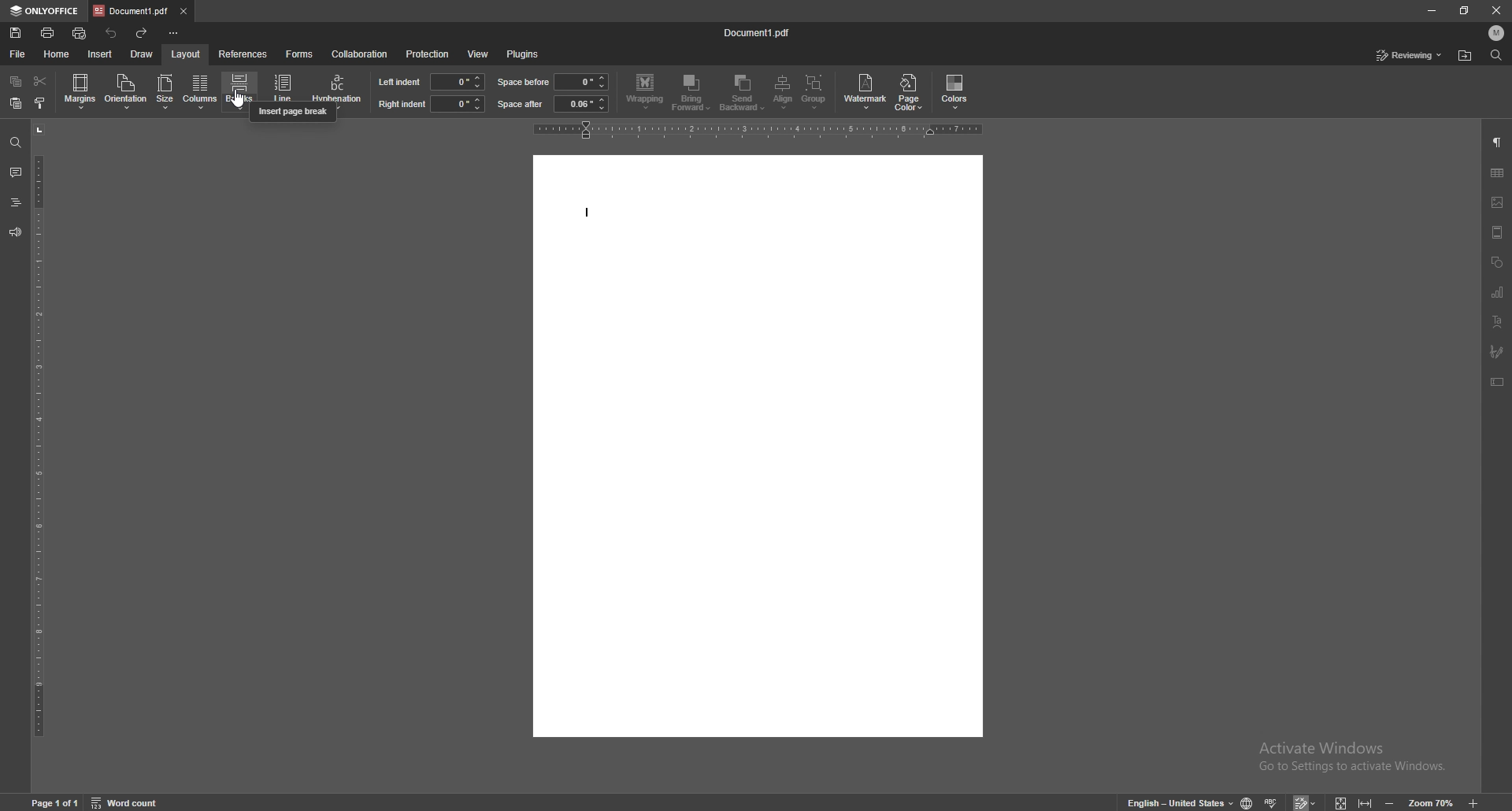 The height and width of the screenshot is (811, 1512). Describe the element at coordinates (1306, 801) in the screenshot. I see `track changes` at that location.